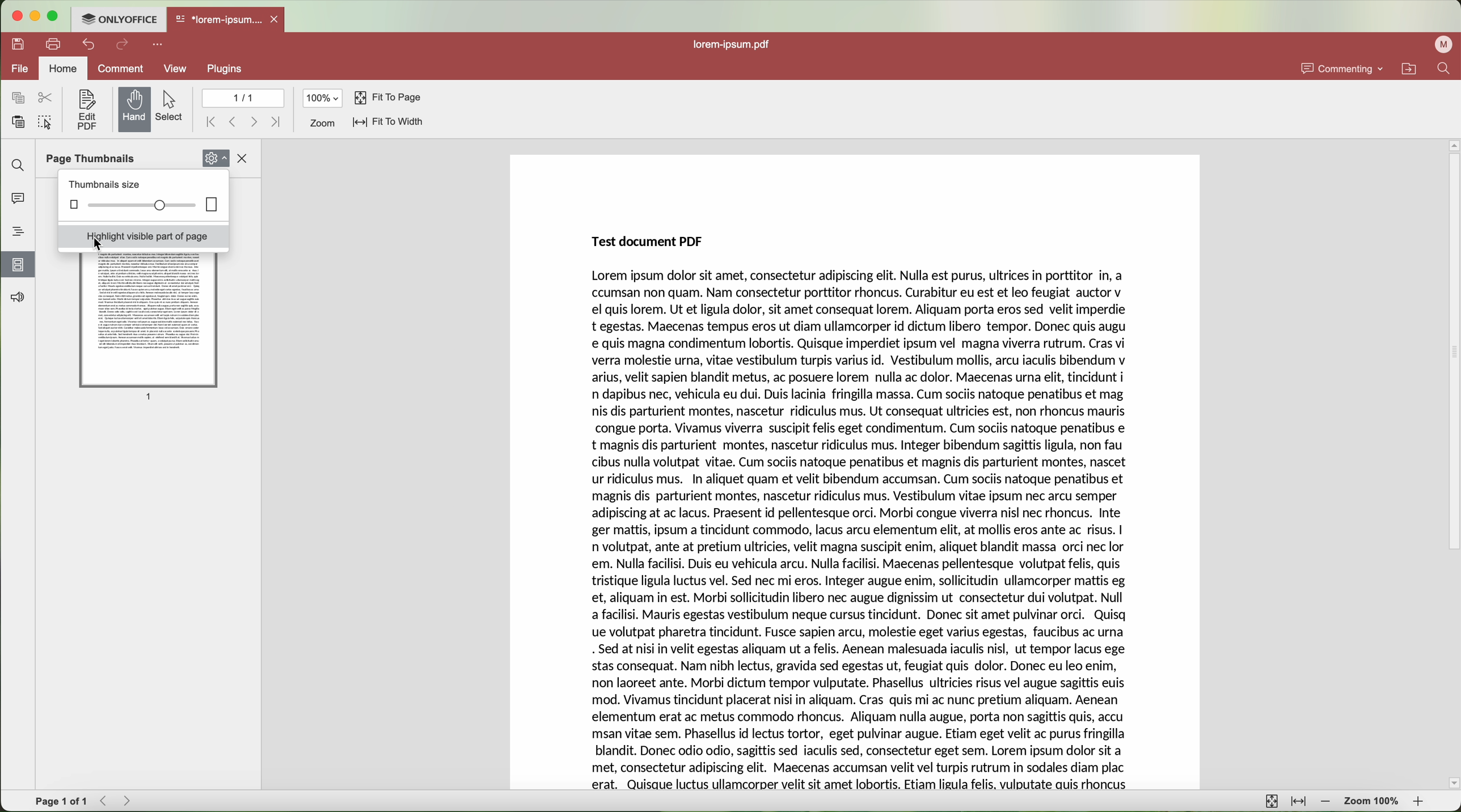  What do you see at coordinates (1373, 801) in the screenshot?
I see `zoom 100%` at bounding box center [1373, 801].